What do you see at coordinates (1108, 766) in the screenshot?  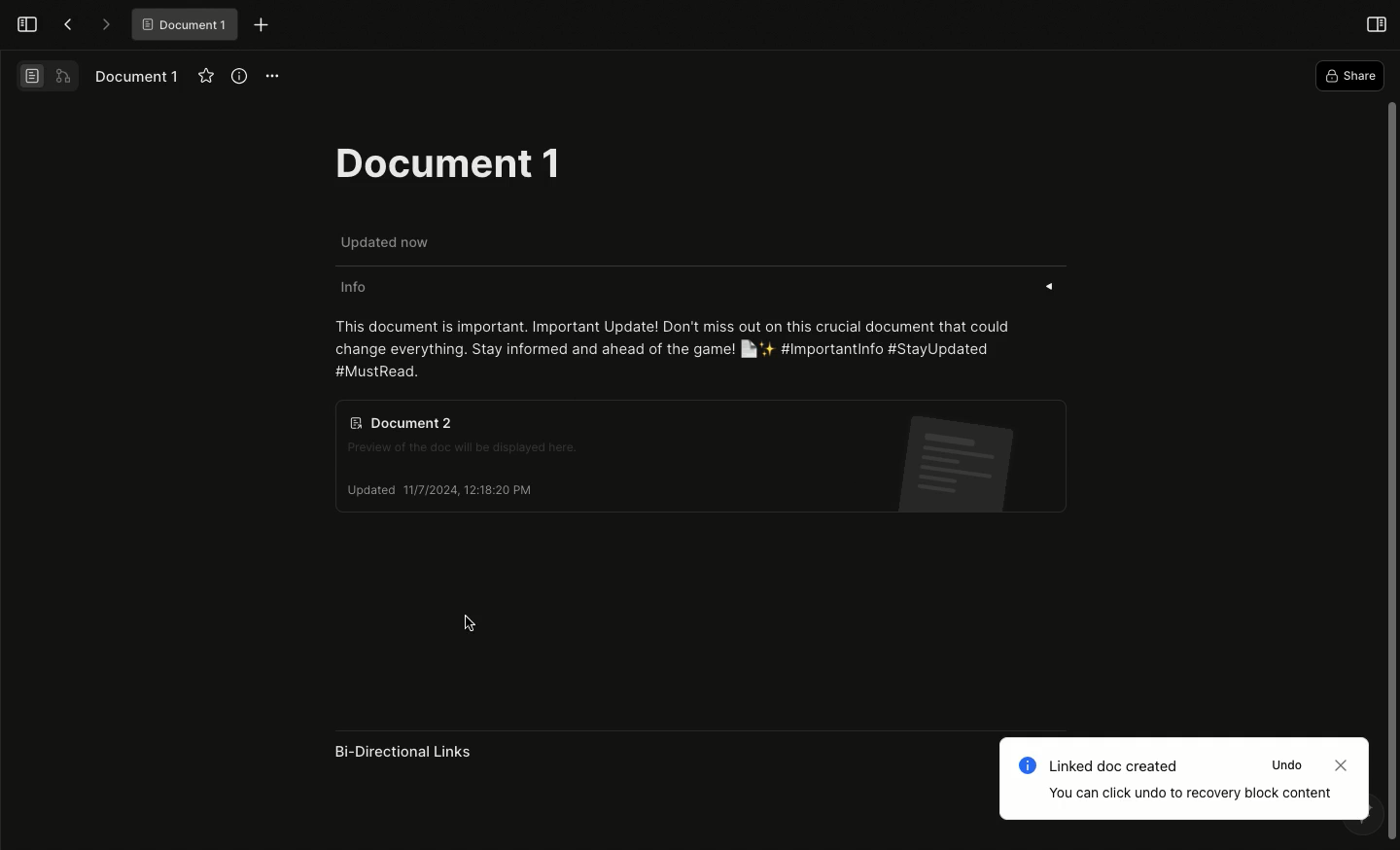 I see `Linked doc created` at bounding box center [1108, 766].